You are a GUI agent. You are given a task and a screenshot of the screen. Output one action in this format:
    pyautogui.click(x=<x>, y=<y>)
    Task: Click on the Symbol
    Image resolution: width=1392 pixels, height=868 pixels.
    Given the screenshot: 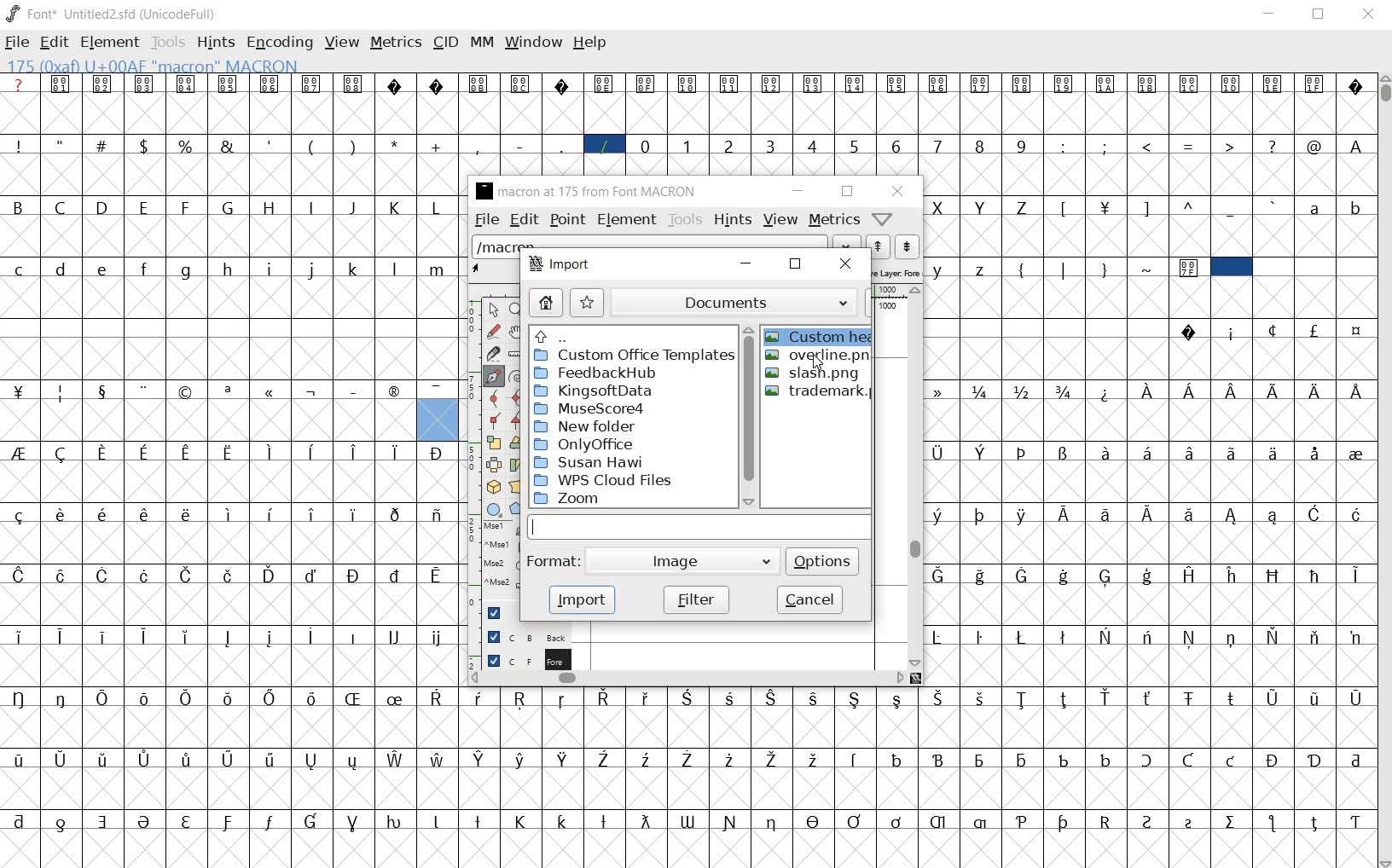 What is the action you would take?
    pyautogui.click(x=438, y=512)
    